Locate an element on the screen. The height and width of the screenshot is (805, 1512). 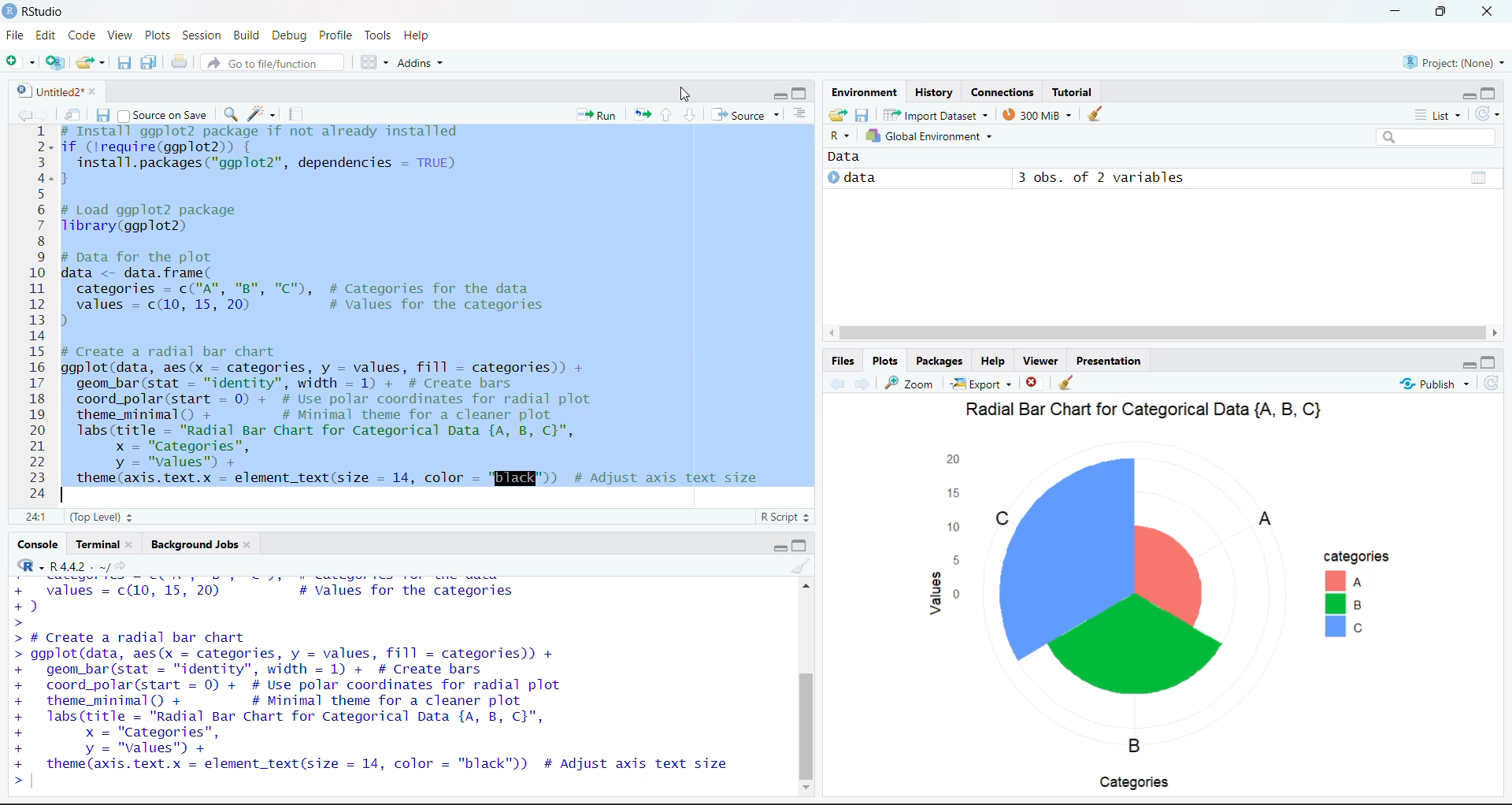
Code is located at coordinates (81, 37).